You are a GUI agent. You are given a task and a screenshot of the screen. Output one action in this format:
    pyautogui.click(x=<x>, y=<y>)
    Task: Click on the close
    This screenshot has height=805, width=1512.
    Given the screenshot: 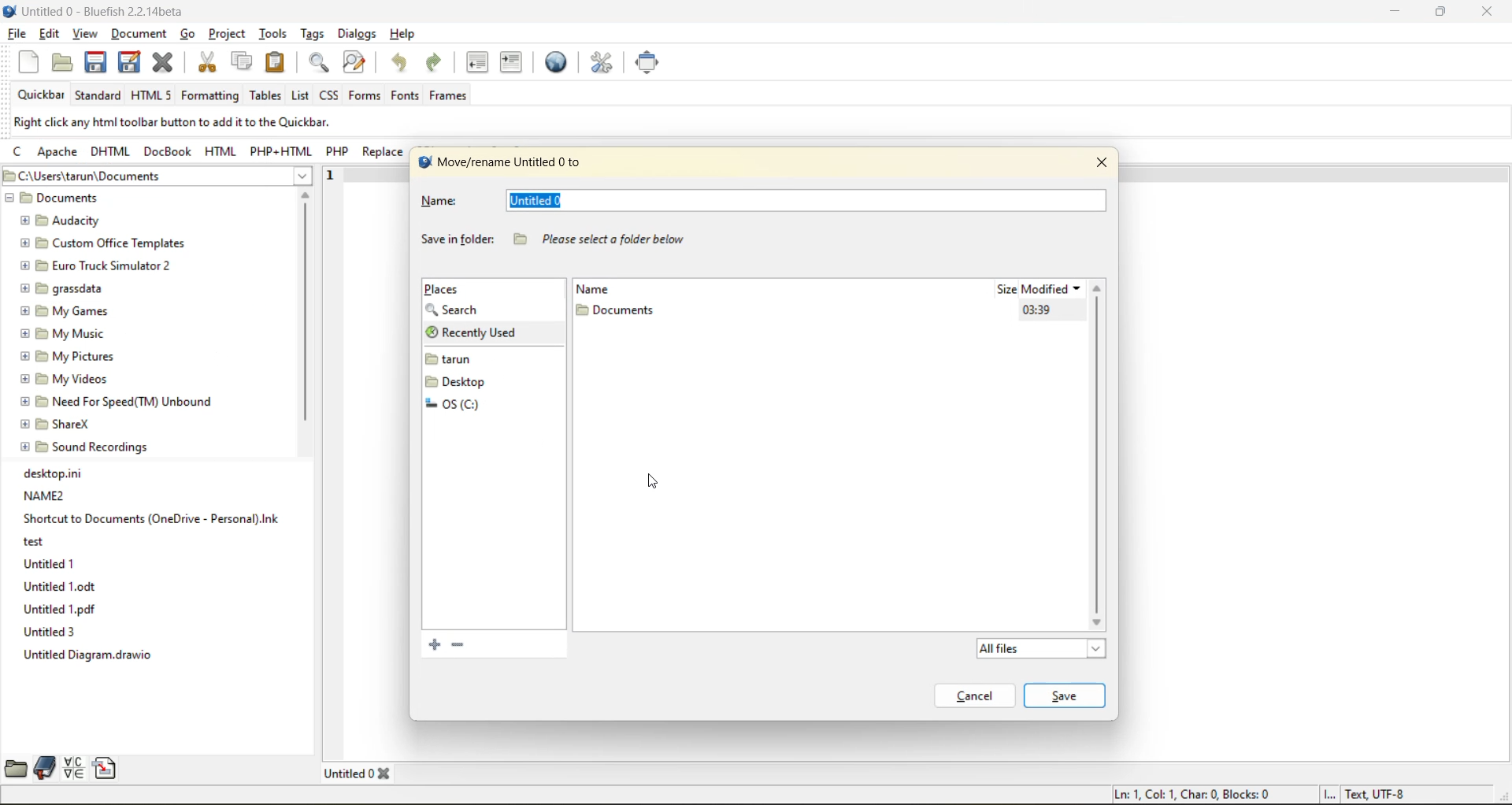 What is the action you would take?
    pyautogui.click(x=1490, y=11)
    